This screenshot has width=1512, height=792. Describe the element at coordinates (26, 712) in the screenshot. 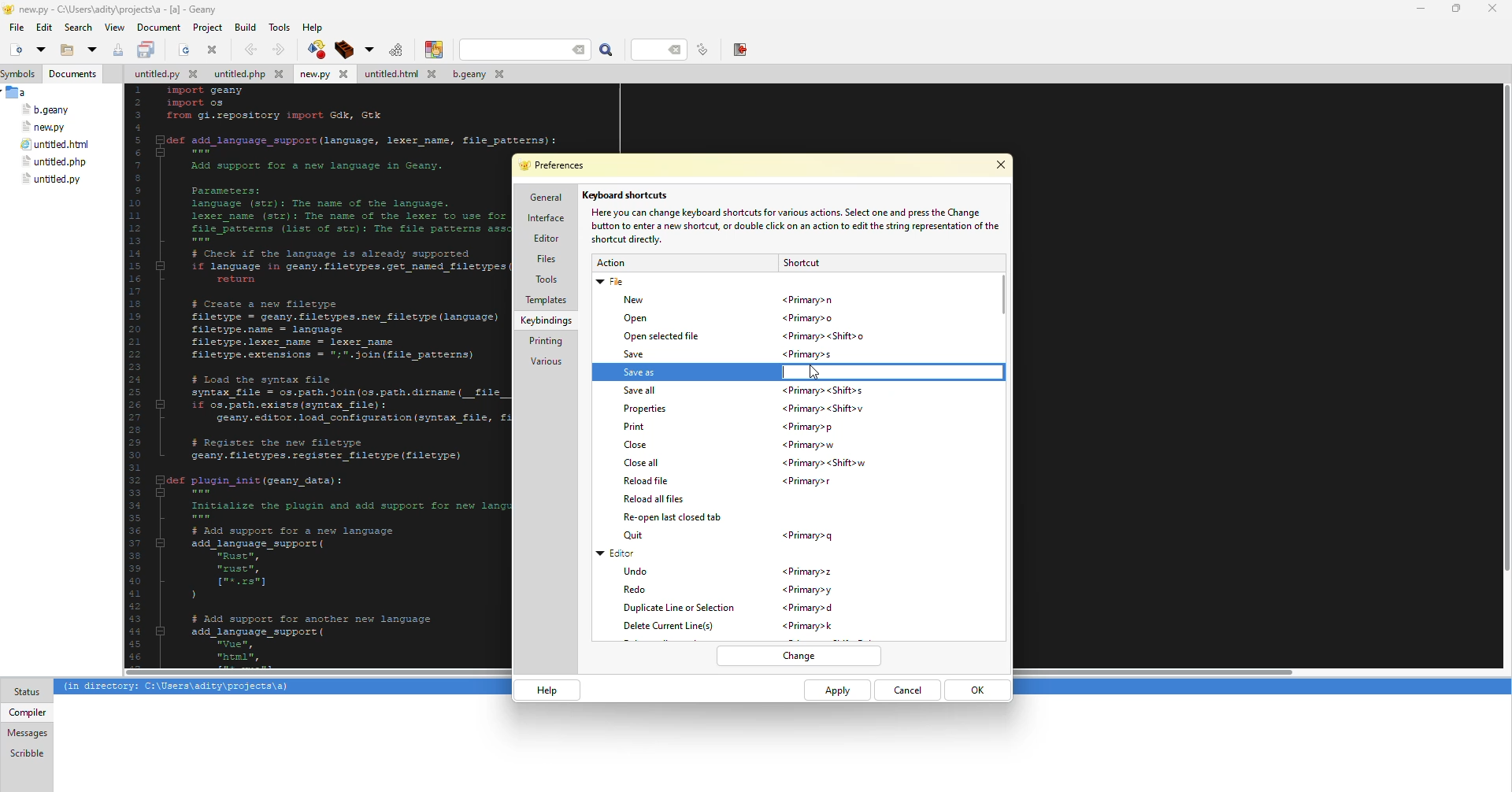

I see `compiler` at that location.